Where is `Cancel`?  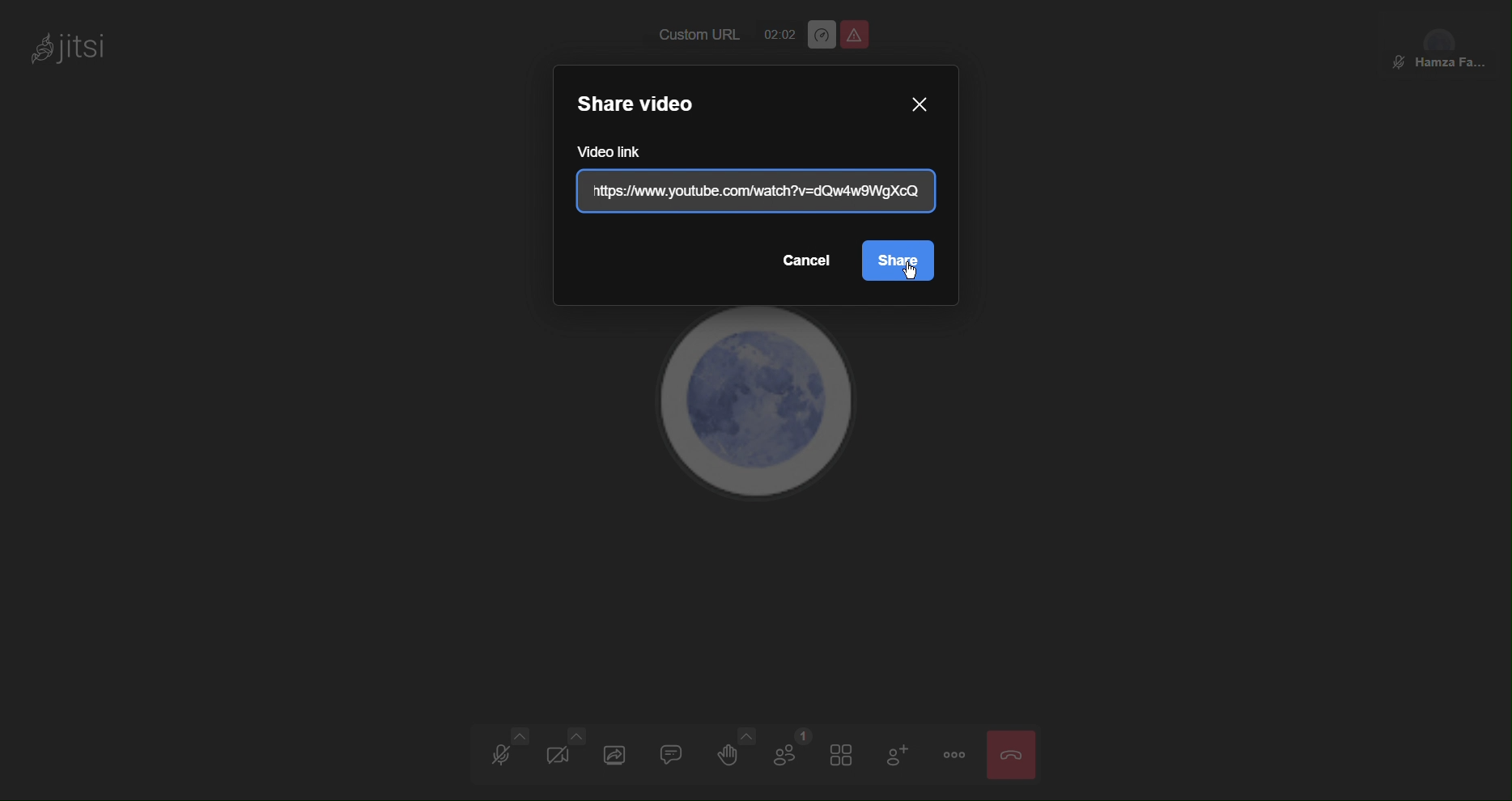
Cancel is located at coordinates (806, 261).